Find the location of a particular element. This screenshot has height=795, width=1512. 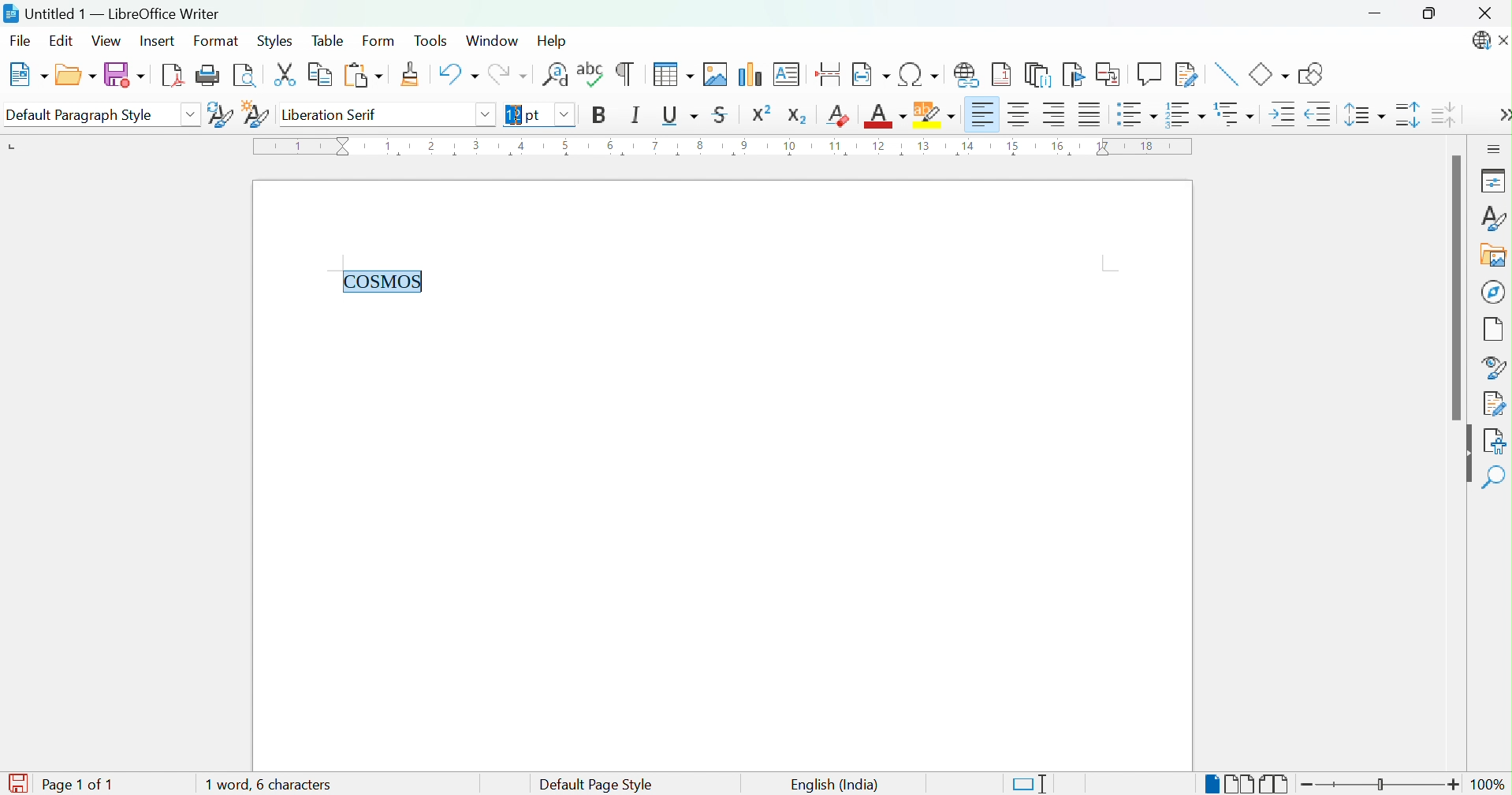

Page 1 of 1 is located at coordinates (76, 784).